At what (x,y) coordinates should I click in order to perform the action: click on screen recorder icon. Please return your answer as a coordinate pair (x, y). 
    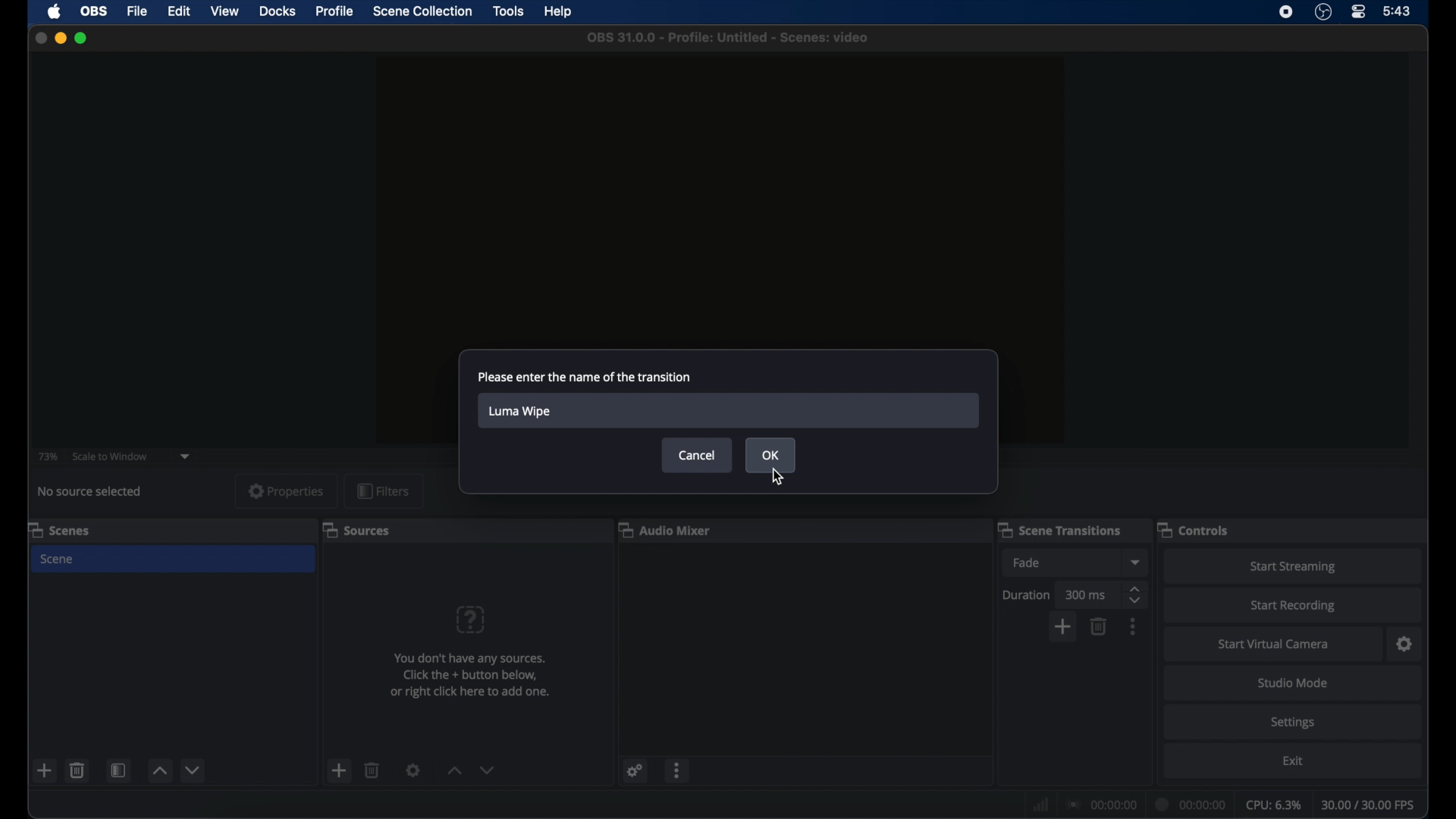
    Looking at the image, I should click on (1285, 12).